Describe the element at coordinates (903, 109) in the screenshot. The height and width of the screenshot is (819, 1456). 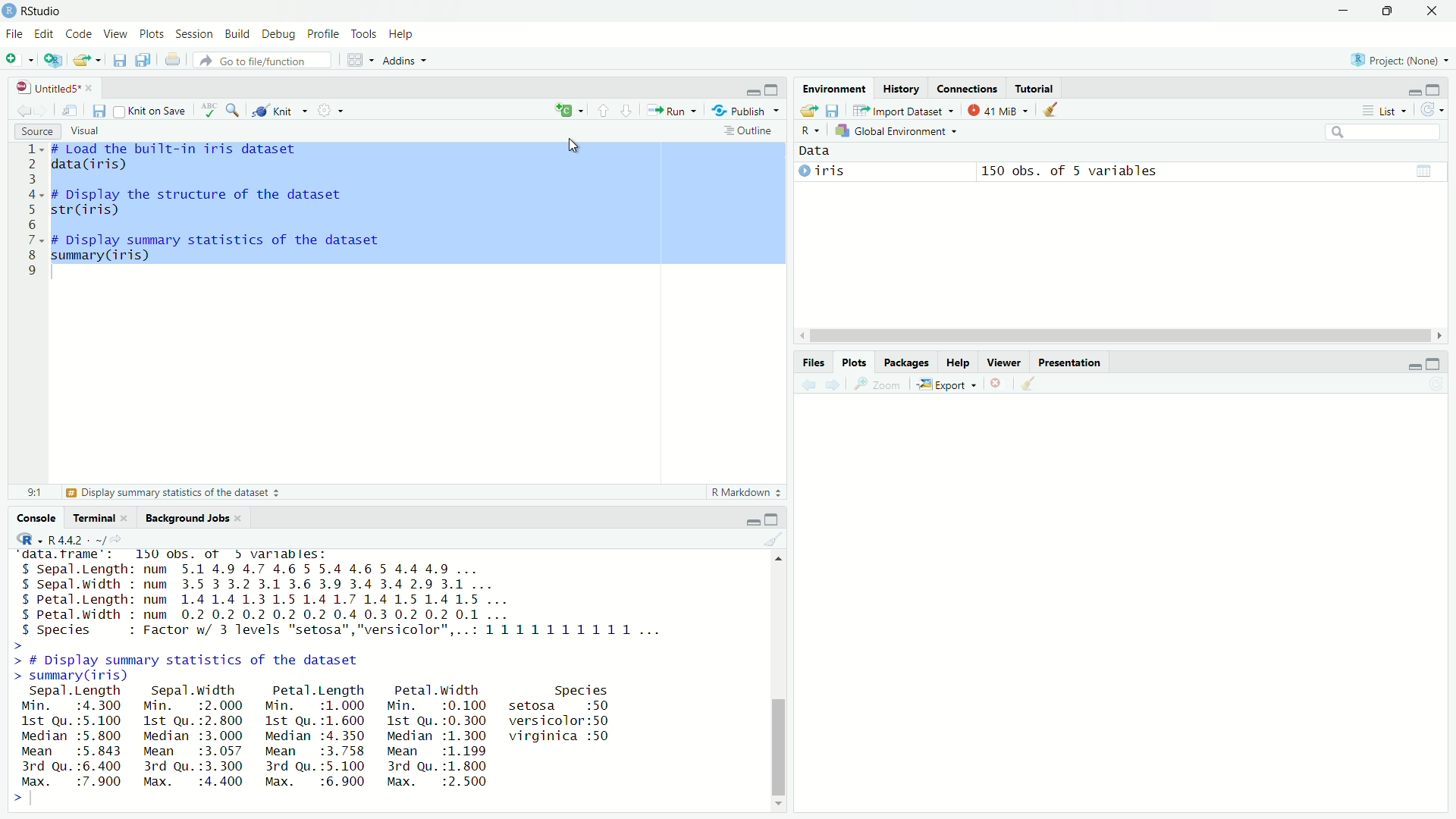
I see `Import Dataset` at that location.